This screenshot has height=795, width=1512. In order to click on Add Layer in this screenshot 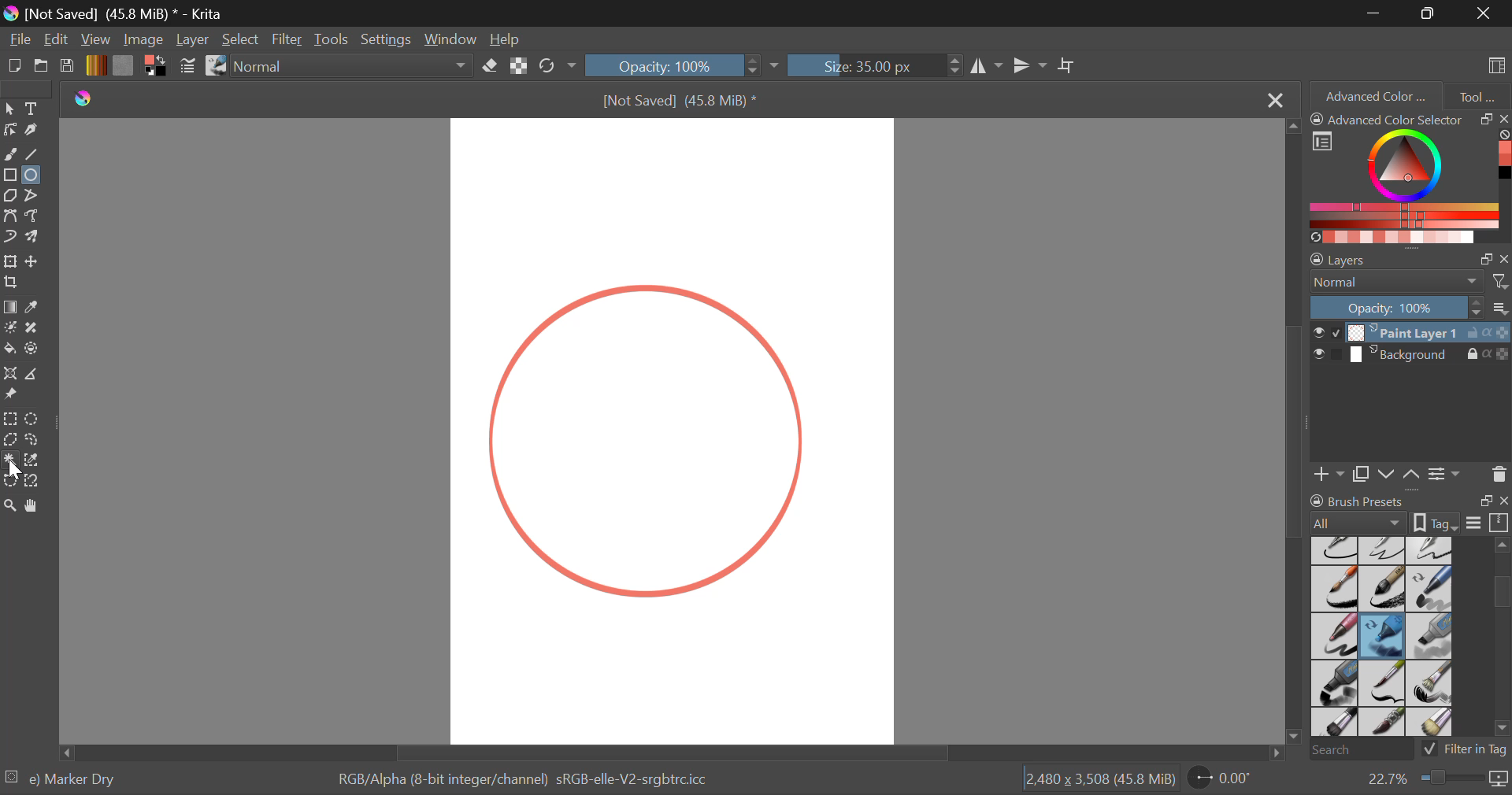, I will do `click(1329, 472)`.